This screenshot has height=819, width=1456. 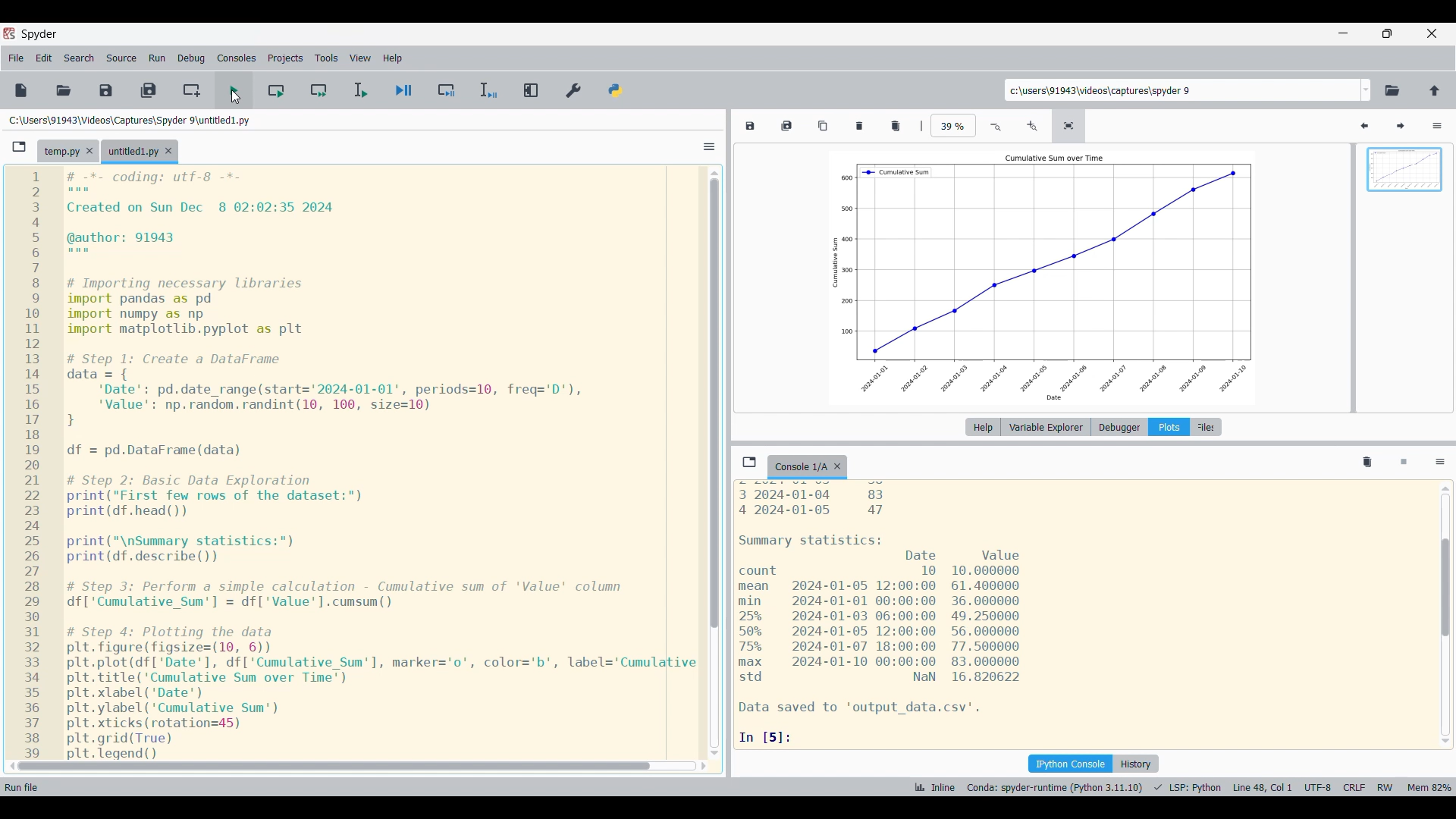 I want to click on Description of current selection, so click(x=28, y=786).